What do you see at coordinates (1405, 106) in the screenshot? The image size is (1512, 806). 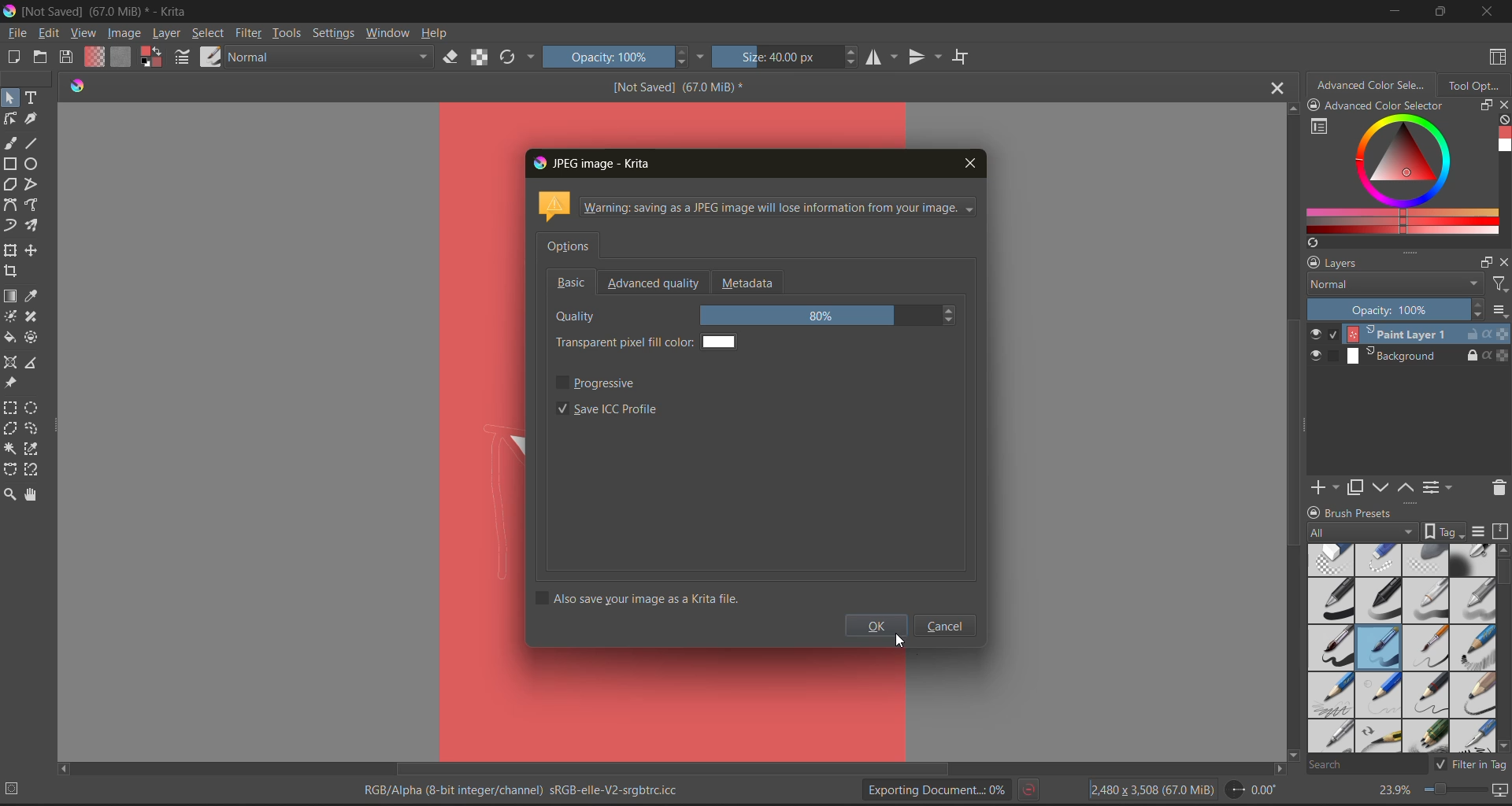 I see `Advanced color selector` at bounding box center [1405, 106].